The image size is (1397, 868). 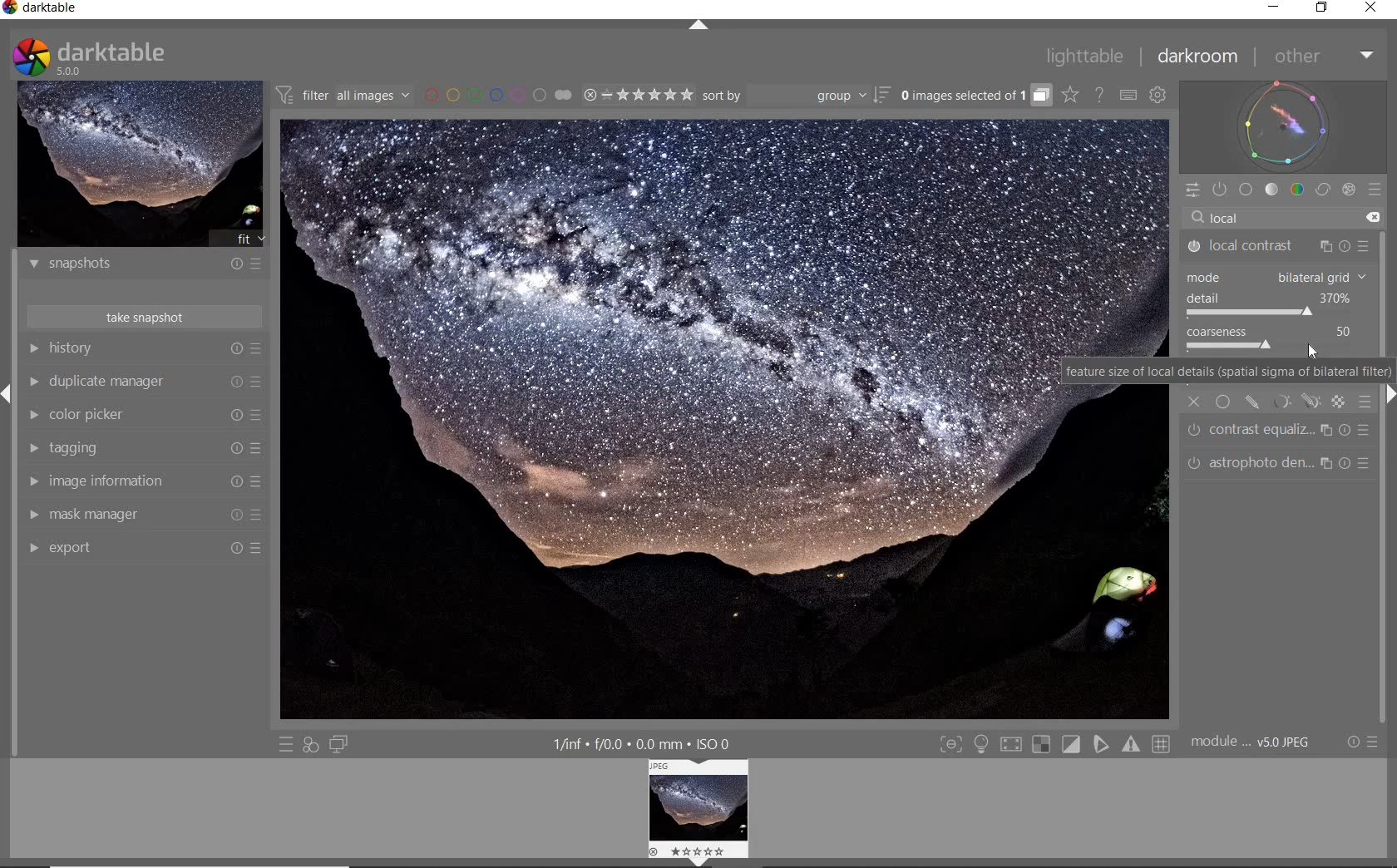 I want to click on COLOR PICKER, so click(x=32, y=413).